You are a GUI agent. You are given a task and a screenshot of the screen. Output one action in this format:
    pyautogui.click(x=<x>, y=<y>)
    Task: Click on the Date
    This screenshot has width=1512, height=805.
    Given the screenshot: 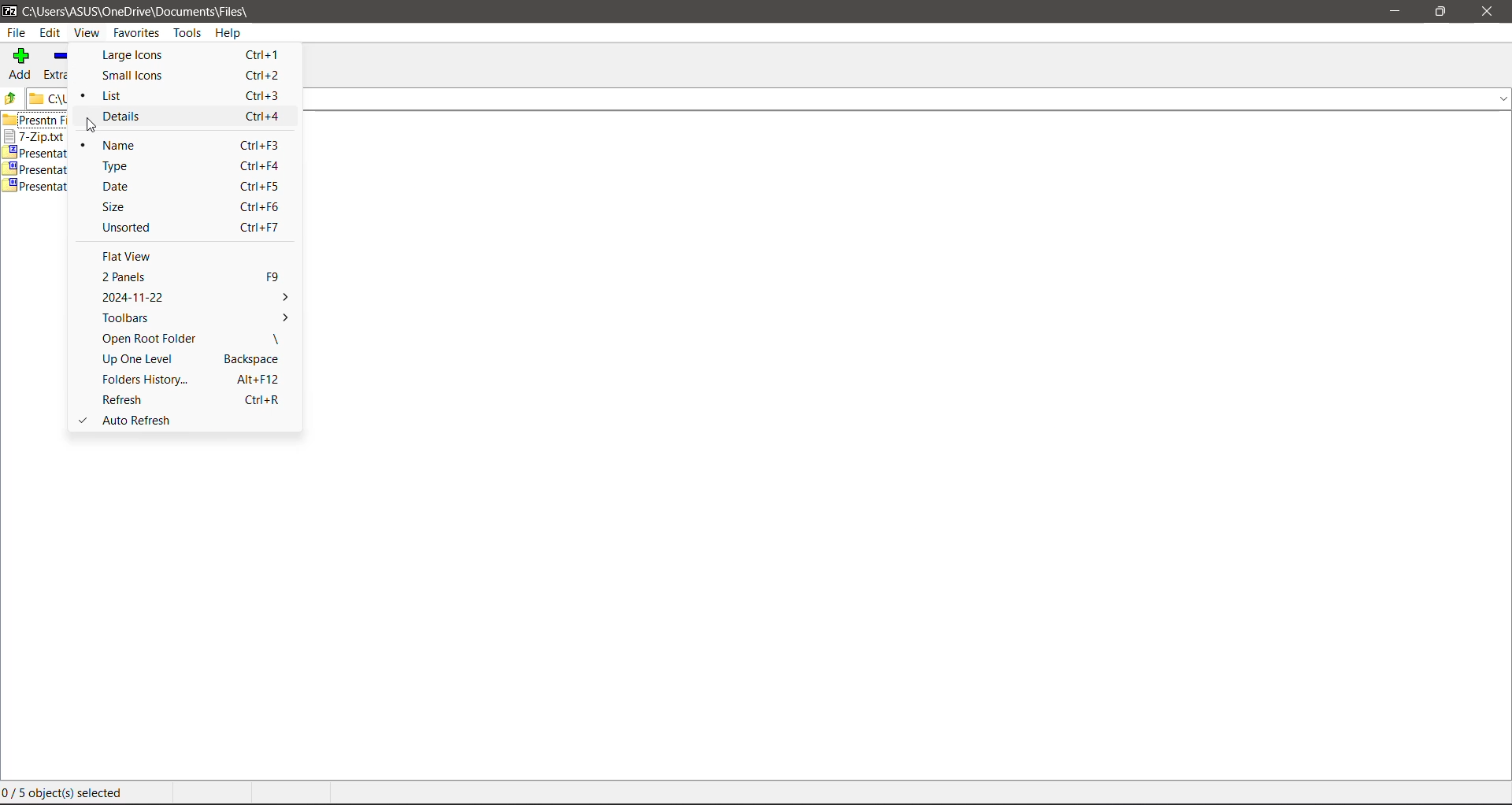 What is the action you would take?
    pyautogui.click(x=191, y=186)
    